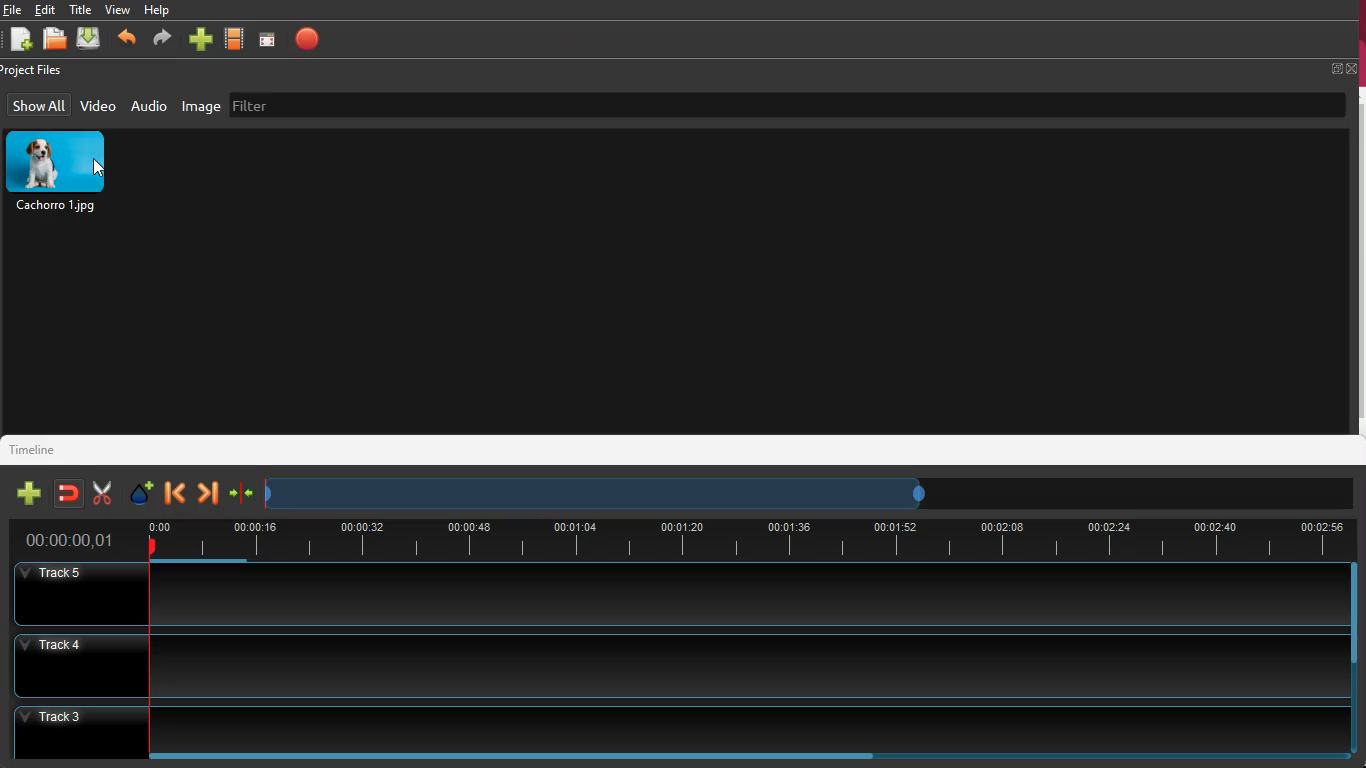  Describe the element at coordinates (1342, 69) in the screenshot. I see `full screen` at that location.